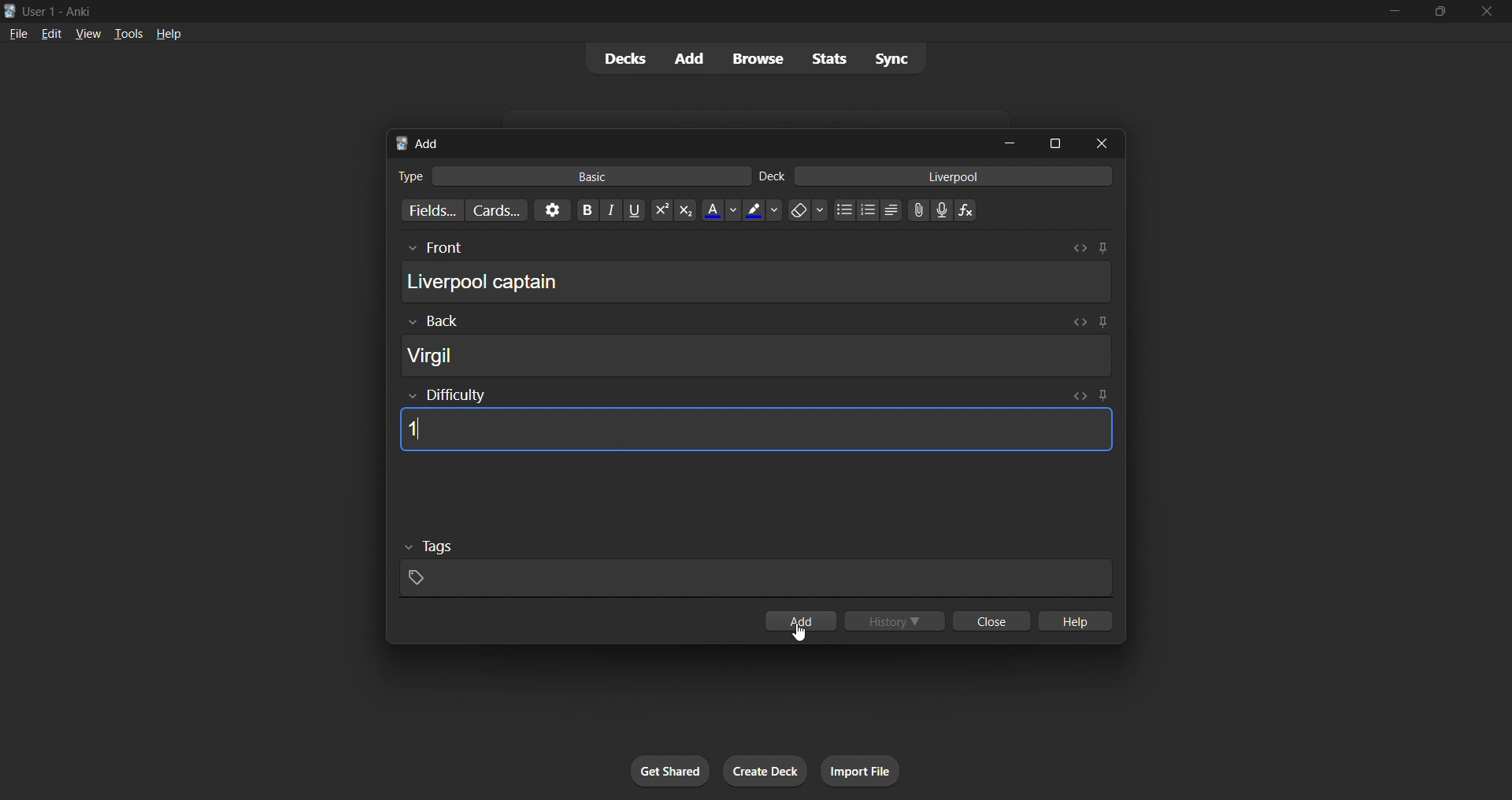 This screenshot has width=1512, height=800. What do you see at coordinates (954, 176) in the screenshot?
I see `card deck input` at bounding box center [954, 176].